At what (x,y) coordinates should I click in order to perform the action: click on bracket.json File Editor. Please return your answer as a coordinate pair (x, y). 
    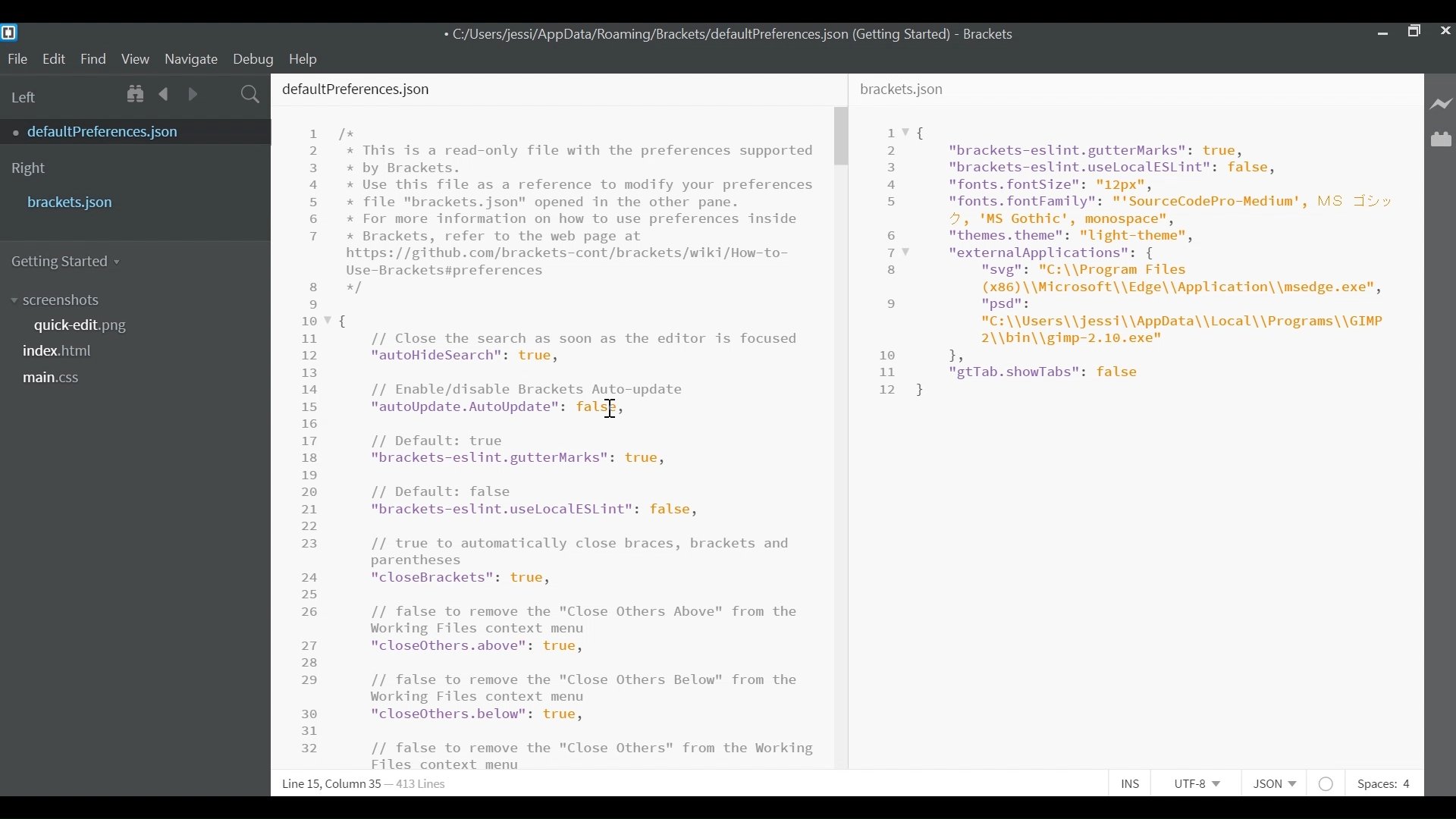
    Looking at the image, I should click on (1136, 423).